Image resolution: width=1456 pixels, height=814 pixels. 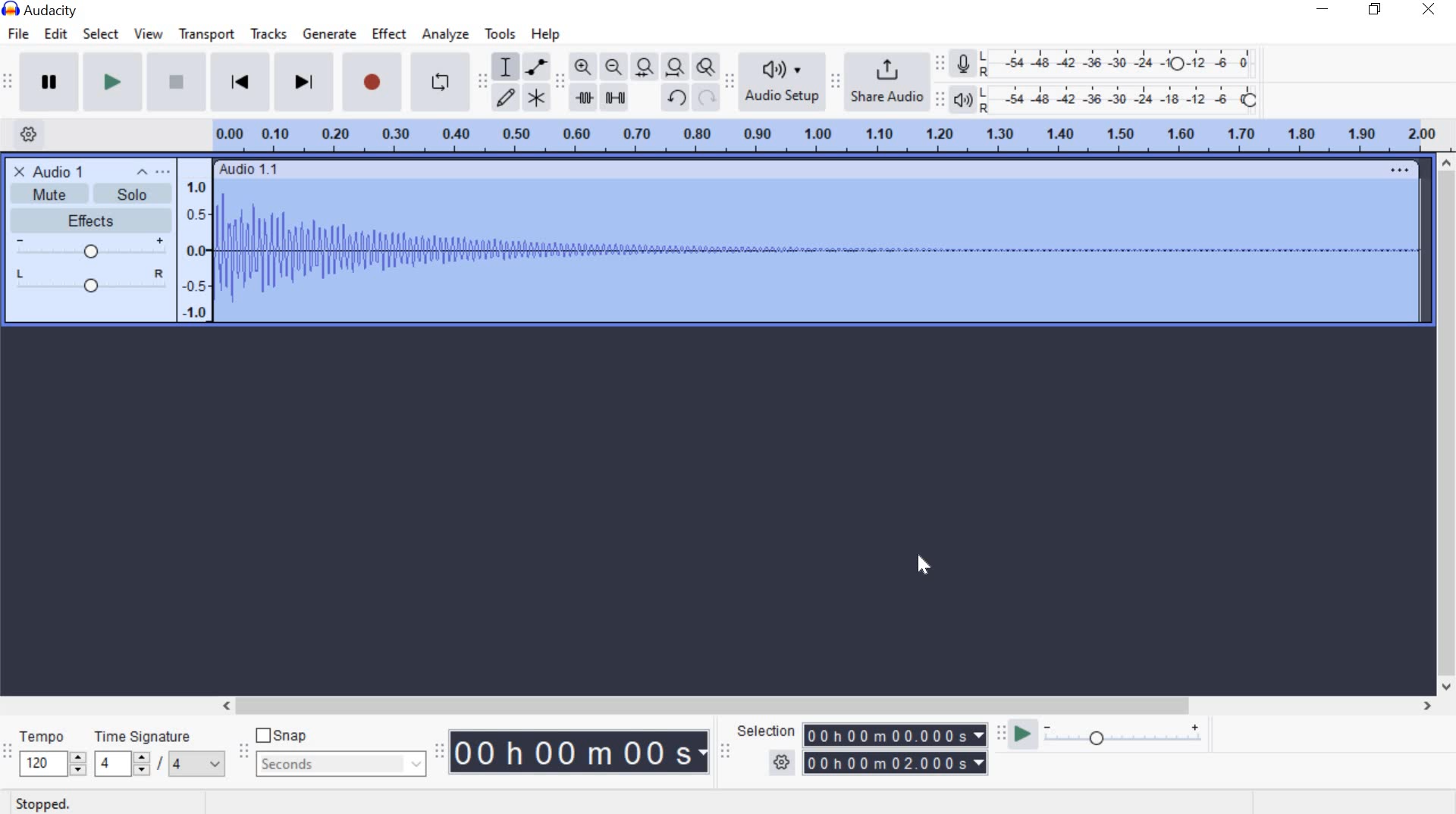 What do you see at coordinates (441, 81) in the screenshot?
I see `Enable Looping` at bounding box center [441, 81].